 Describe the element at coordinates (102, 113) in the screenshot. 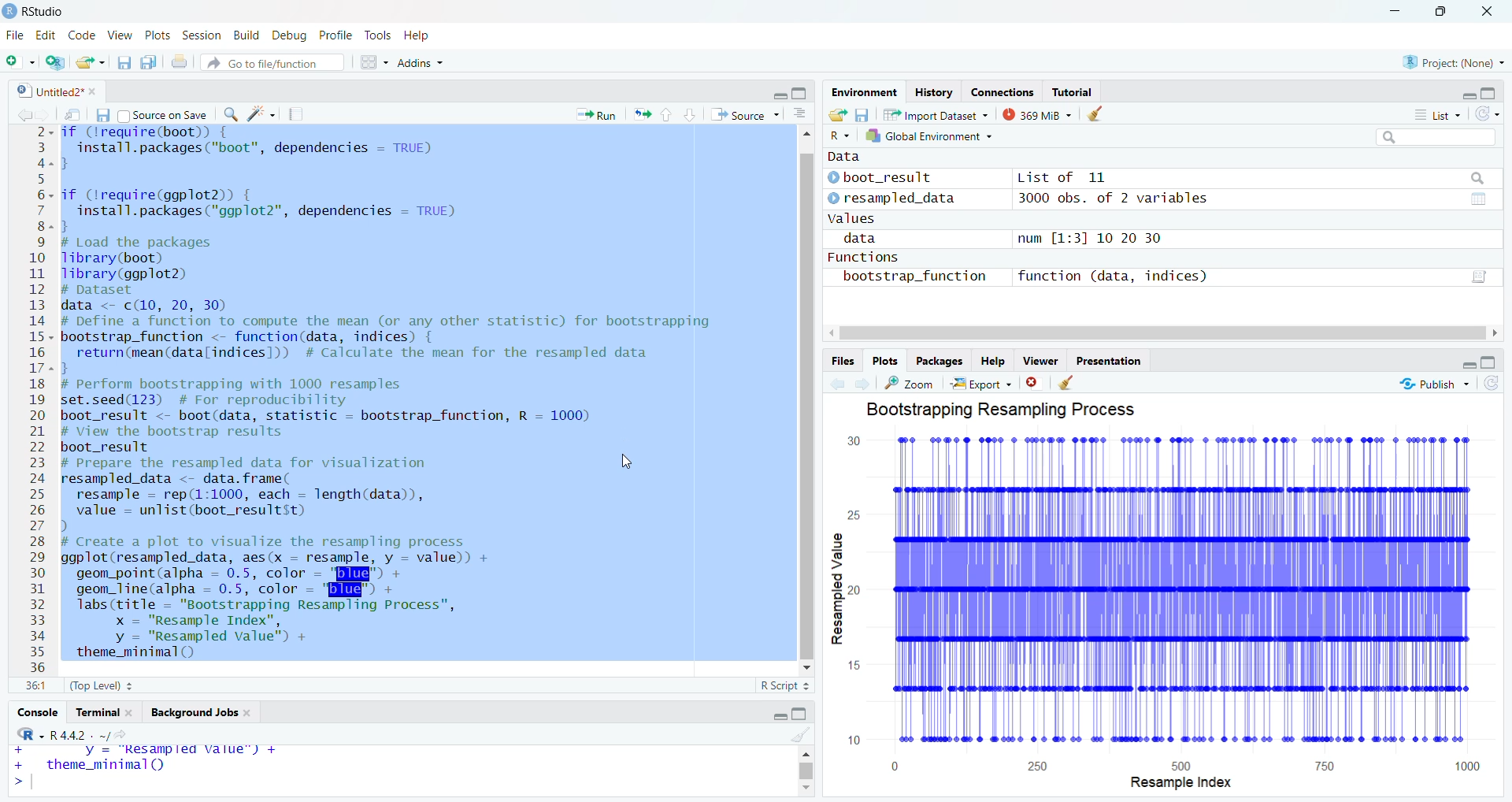

I see `save current document` at that location.